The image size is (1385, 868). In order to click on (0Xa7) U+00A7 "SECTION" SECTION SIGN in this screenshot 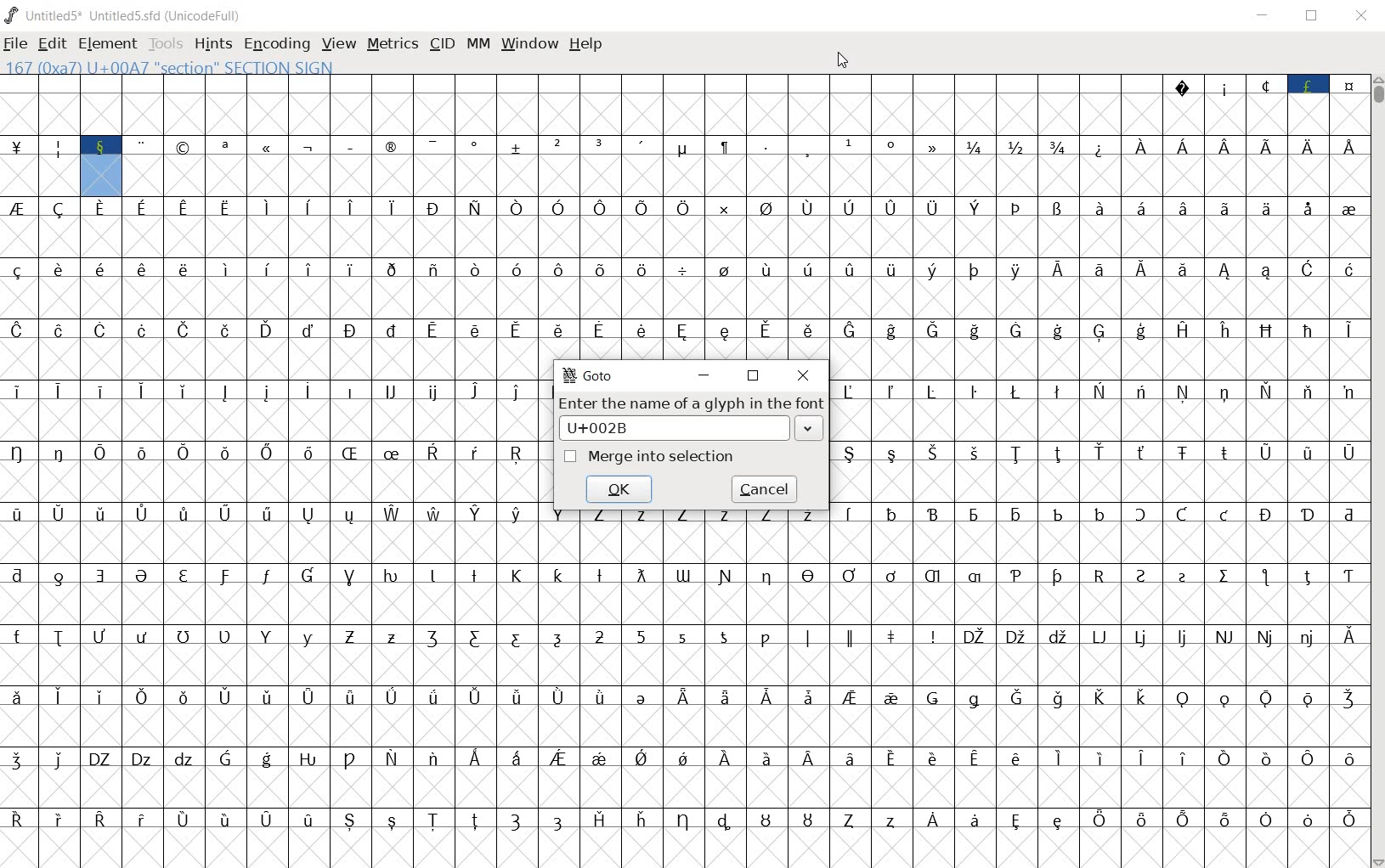, I will do `click(170, 68)`.